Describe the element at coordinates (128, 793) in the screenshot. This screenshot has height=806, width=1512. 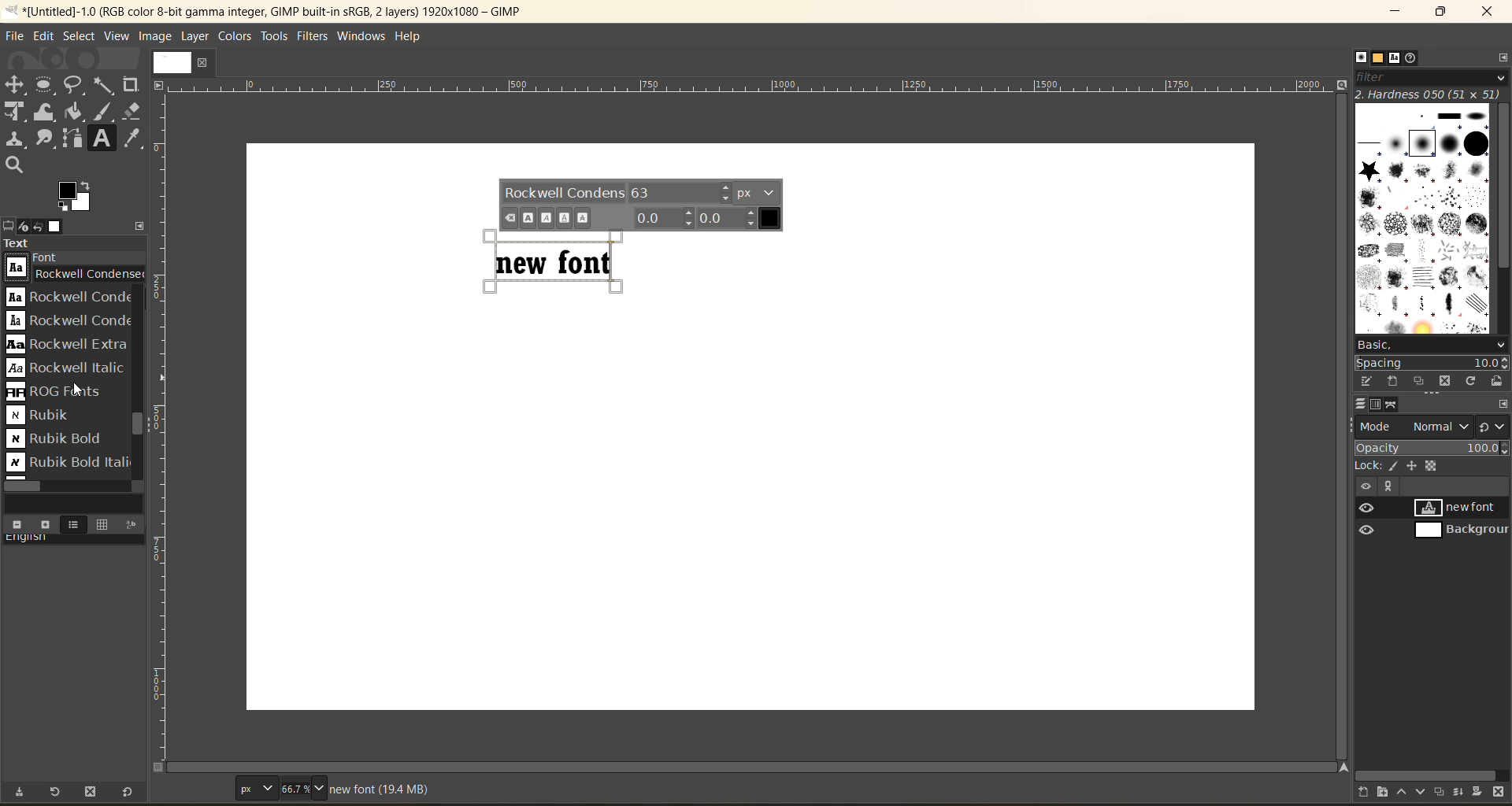
I see `reset tool preset` at that location.